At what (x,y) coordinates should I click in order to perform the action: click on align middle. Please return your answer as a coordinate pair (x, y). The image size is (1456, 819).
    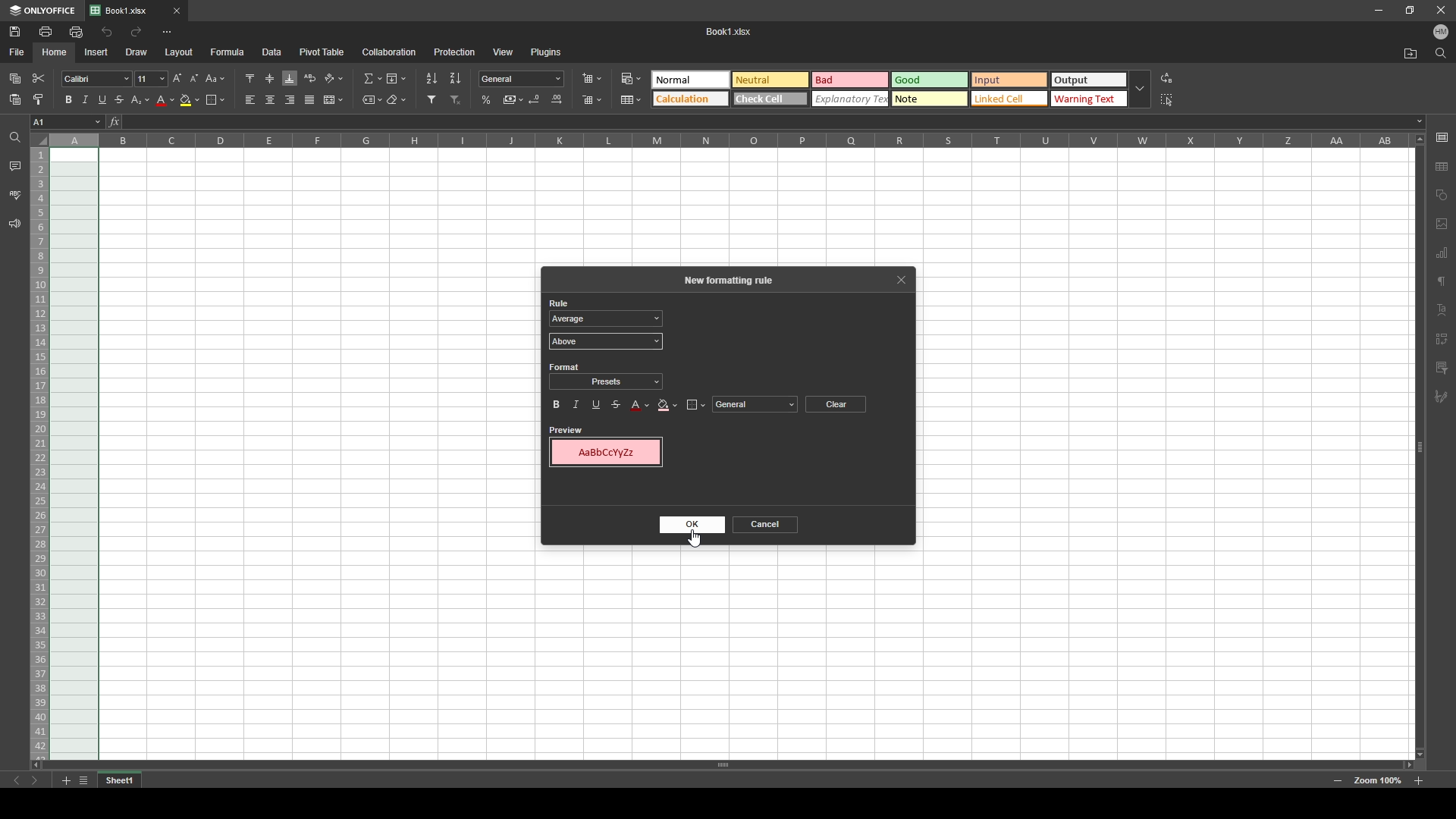
    Looking at the image, I should click on (271, 79).